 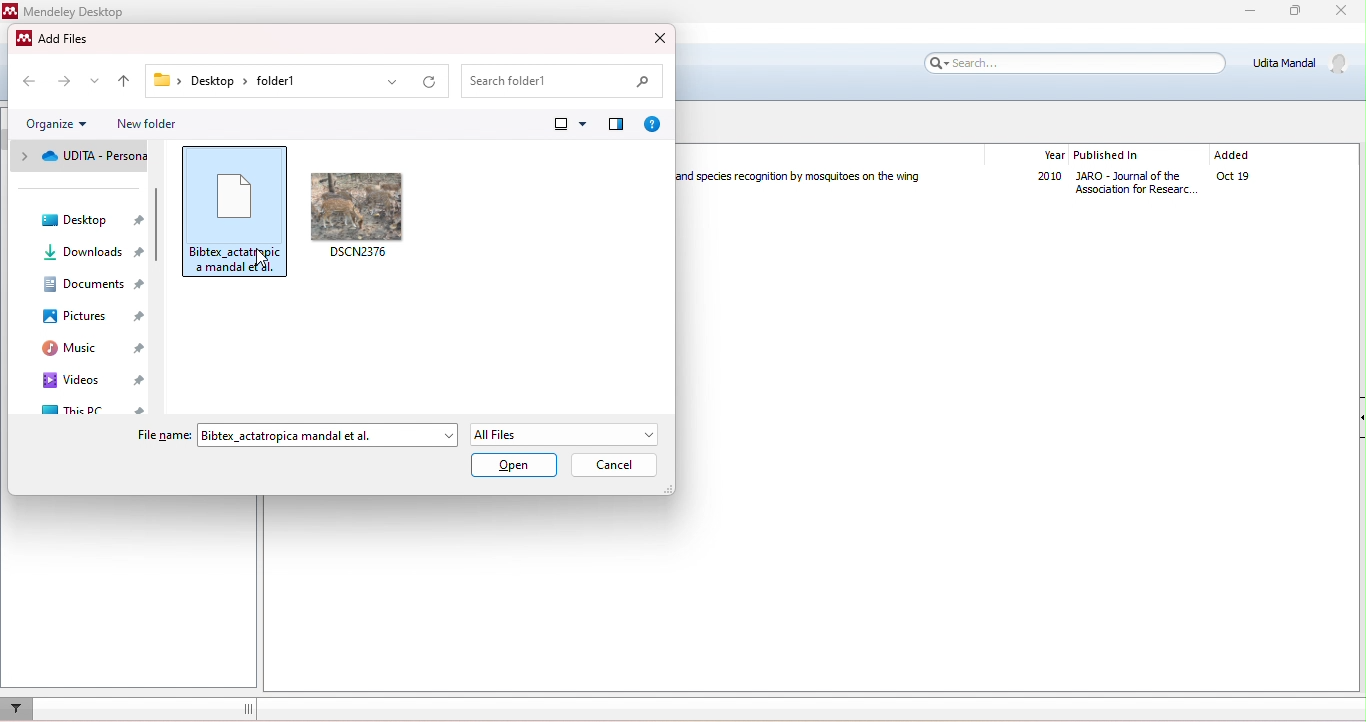 What do you see at coordinates (233, 211) in the screenshot?
I see `Bibtex_sctatropica manda et al.` at bounding box center [233, 211].